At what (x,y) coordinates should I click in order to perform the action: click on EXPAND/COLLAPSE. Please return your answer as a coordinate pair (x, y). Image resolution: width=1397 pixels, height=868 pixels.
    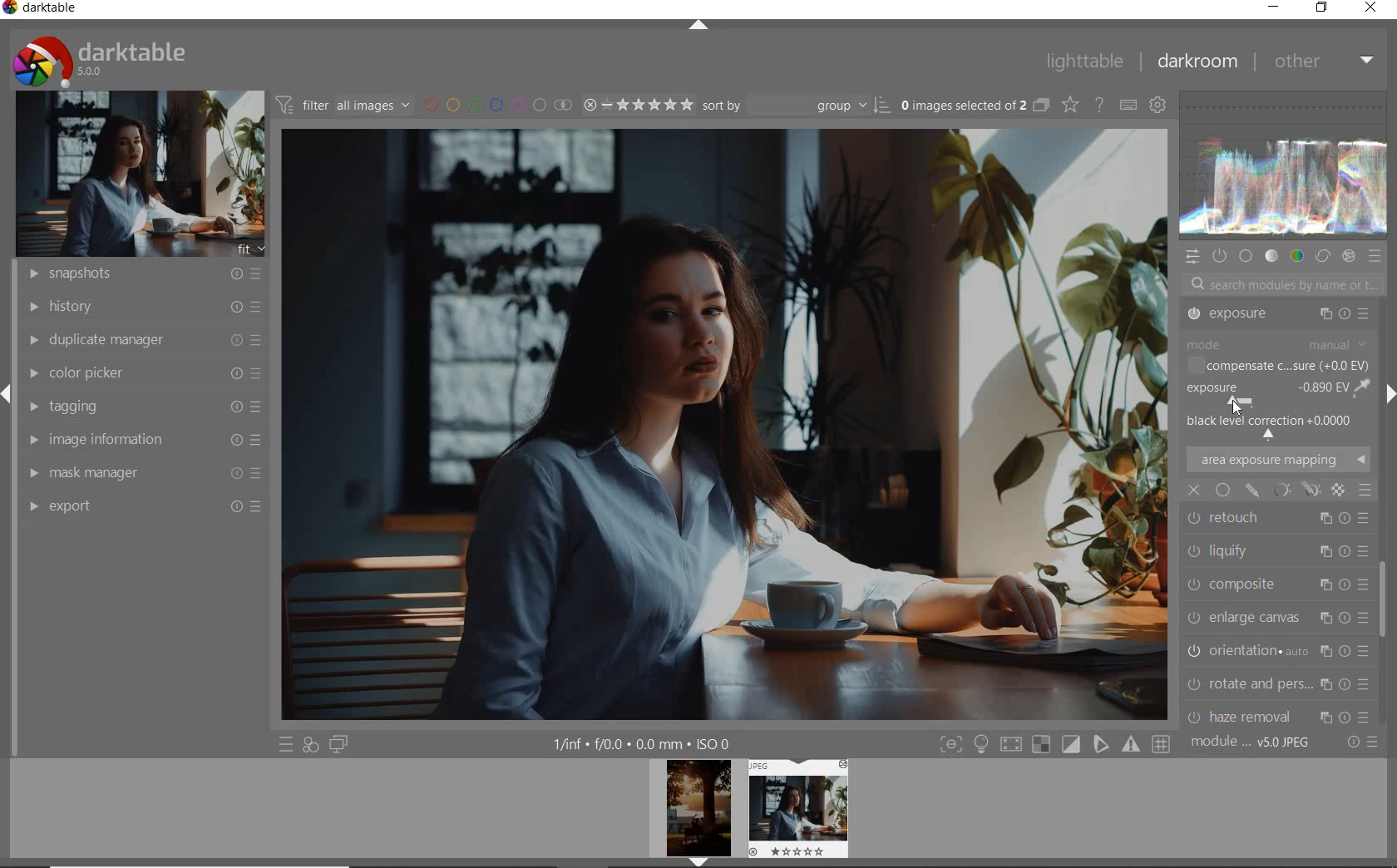
    Looking at the image, I should click on (699, 26).